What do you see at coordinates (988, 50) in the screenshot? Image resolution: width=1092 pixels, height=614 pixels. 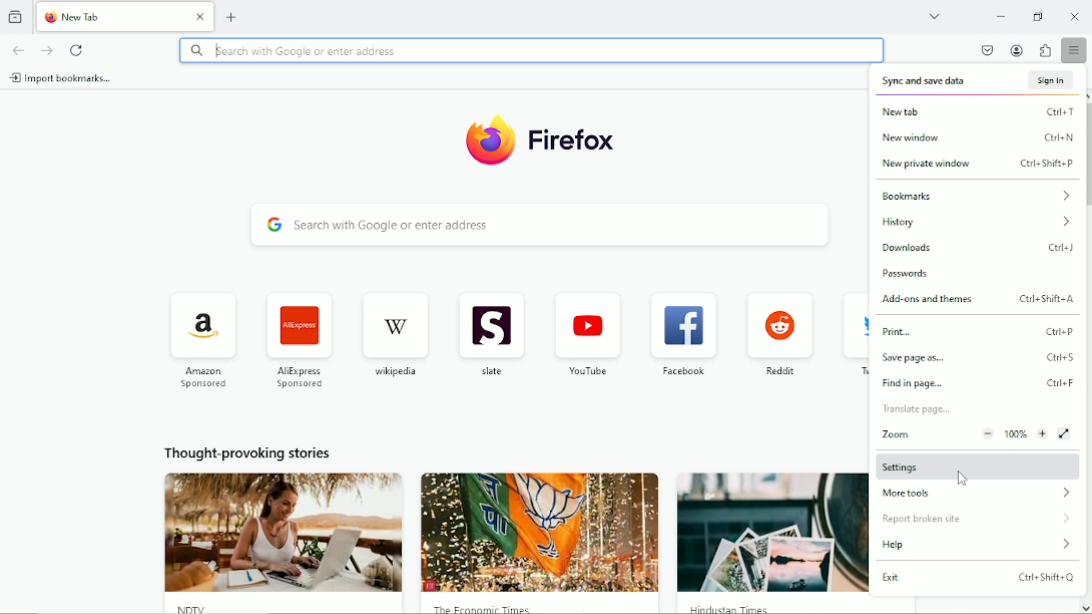 I see `save to pocket` at bounding box center [988, 50].